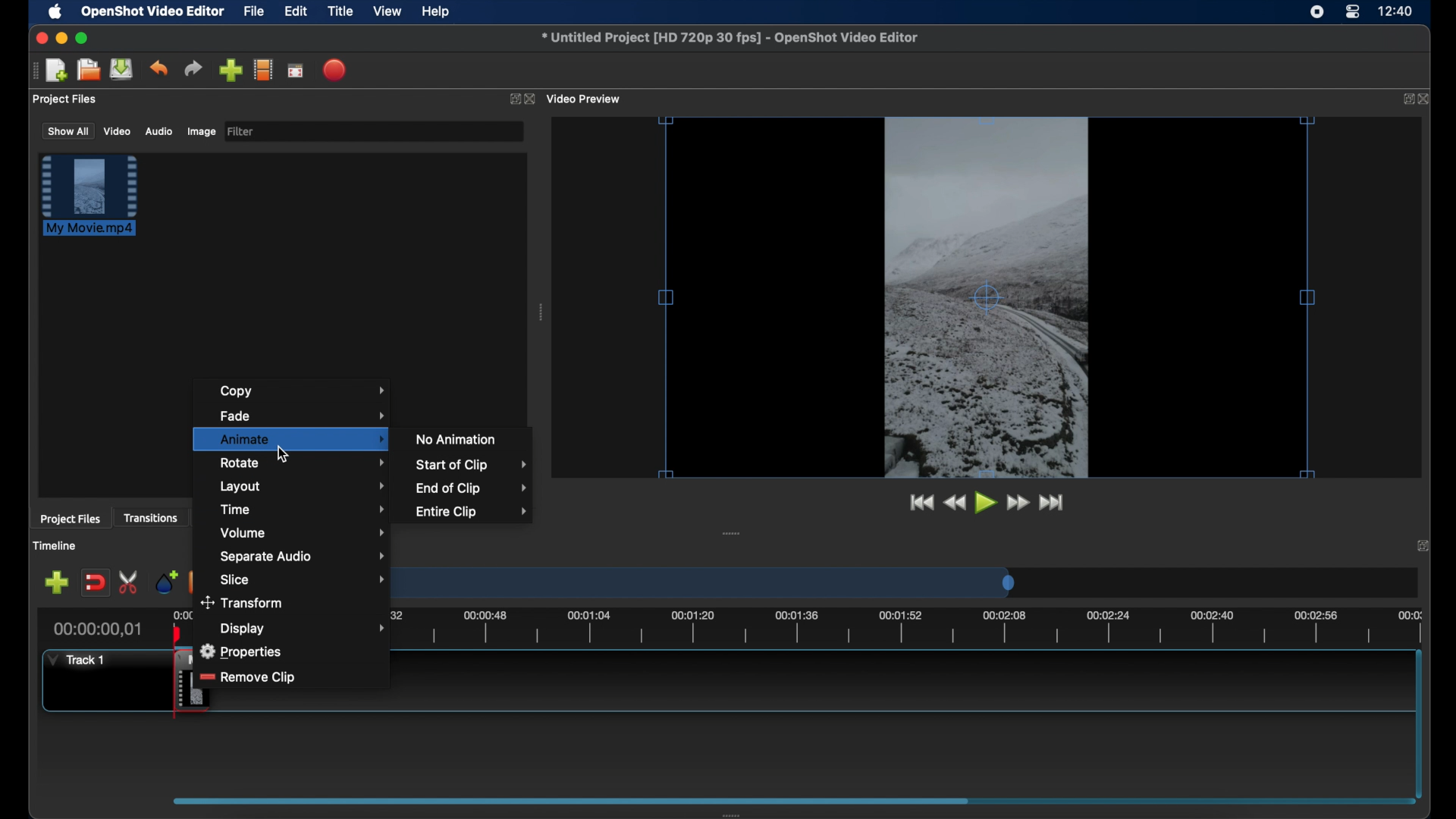 This screenshot has width=1456, height=819. Describe the element at coordinates (33, 71) in the screenshot. I see `drag handle` at that location.